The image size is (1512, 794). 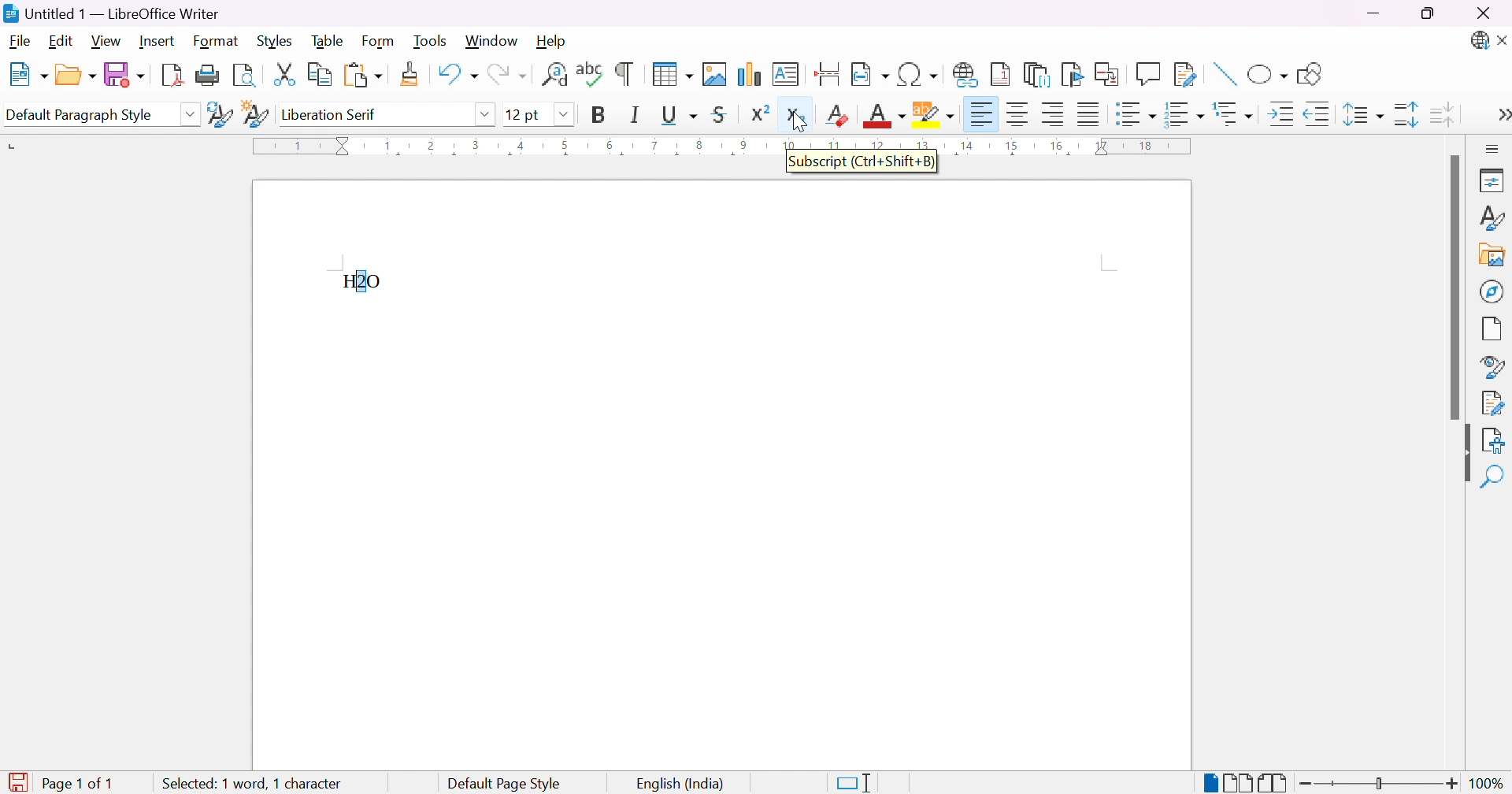 What do you see at coordinates (1001, 73) in the screenshot?
I see `Insert footnote` at bounding box center [1001, 73].